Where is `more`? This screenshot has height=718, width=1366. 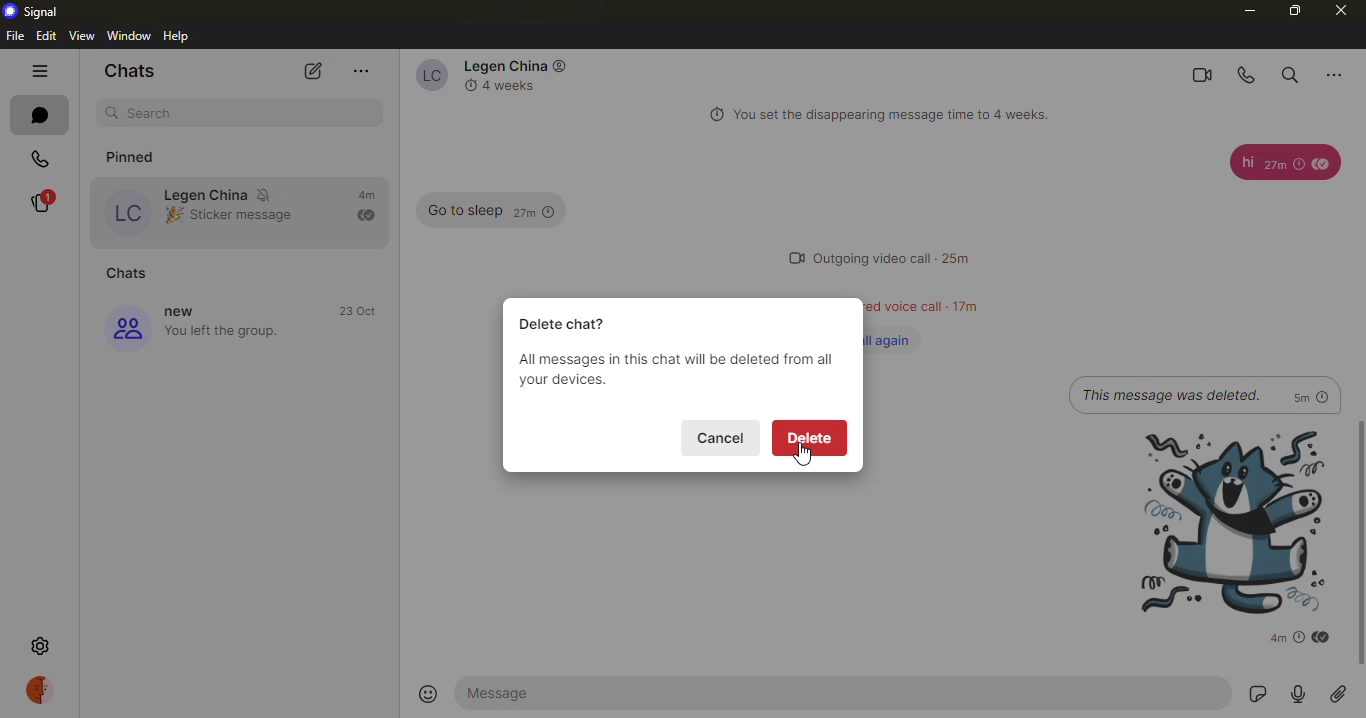 more is located at coordinates (1341, 71).